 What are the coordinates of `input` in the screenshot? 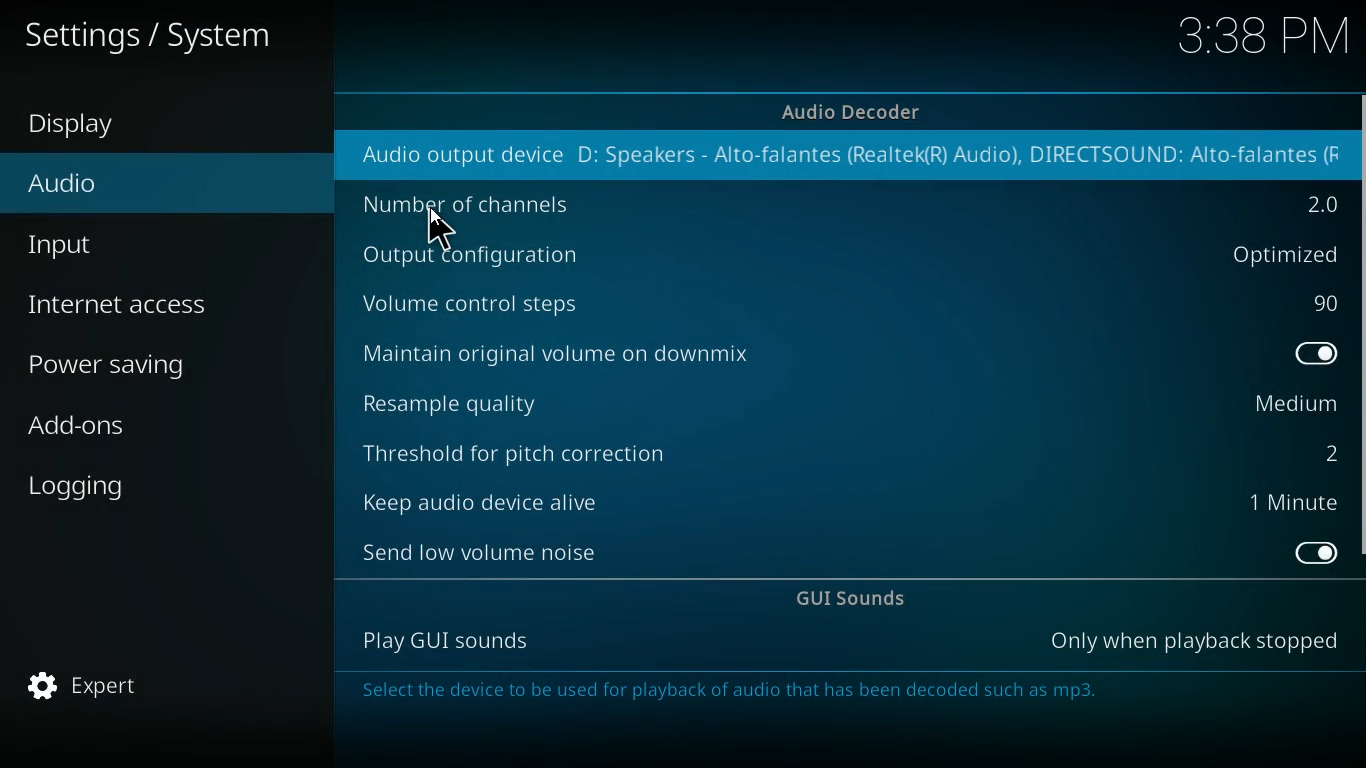 It's located at (141, 245).